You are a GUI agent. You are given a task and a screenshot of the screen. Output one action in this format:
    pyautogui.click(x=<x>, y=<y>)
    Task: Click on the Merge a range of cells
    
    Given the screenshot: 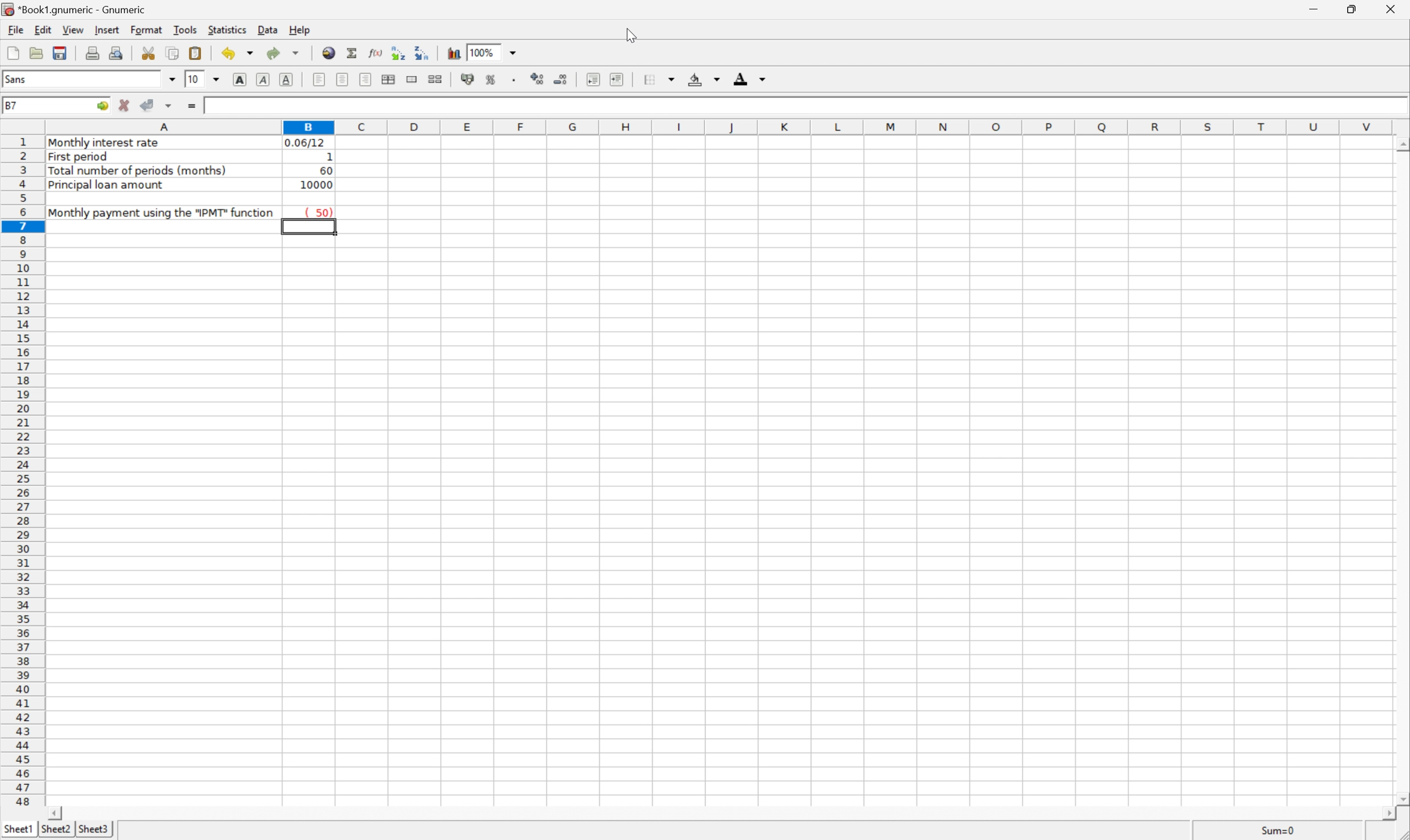 What is the action you would take?
    pyautogui.click(x=413, y=80)
    